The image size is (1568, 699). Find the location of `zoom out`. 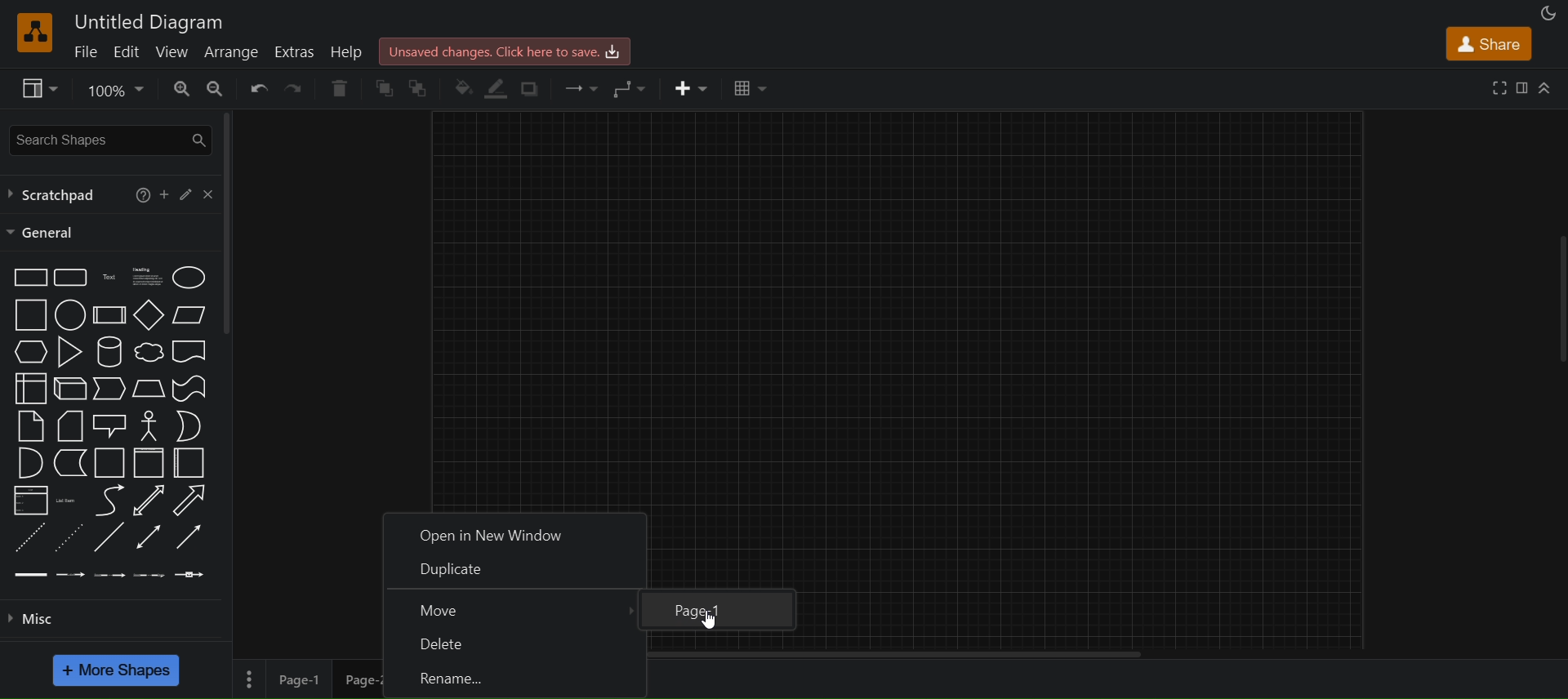

zoom out is located at coordinates (217, 88).